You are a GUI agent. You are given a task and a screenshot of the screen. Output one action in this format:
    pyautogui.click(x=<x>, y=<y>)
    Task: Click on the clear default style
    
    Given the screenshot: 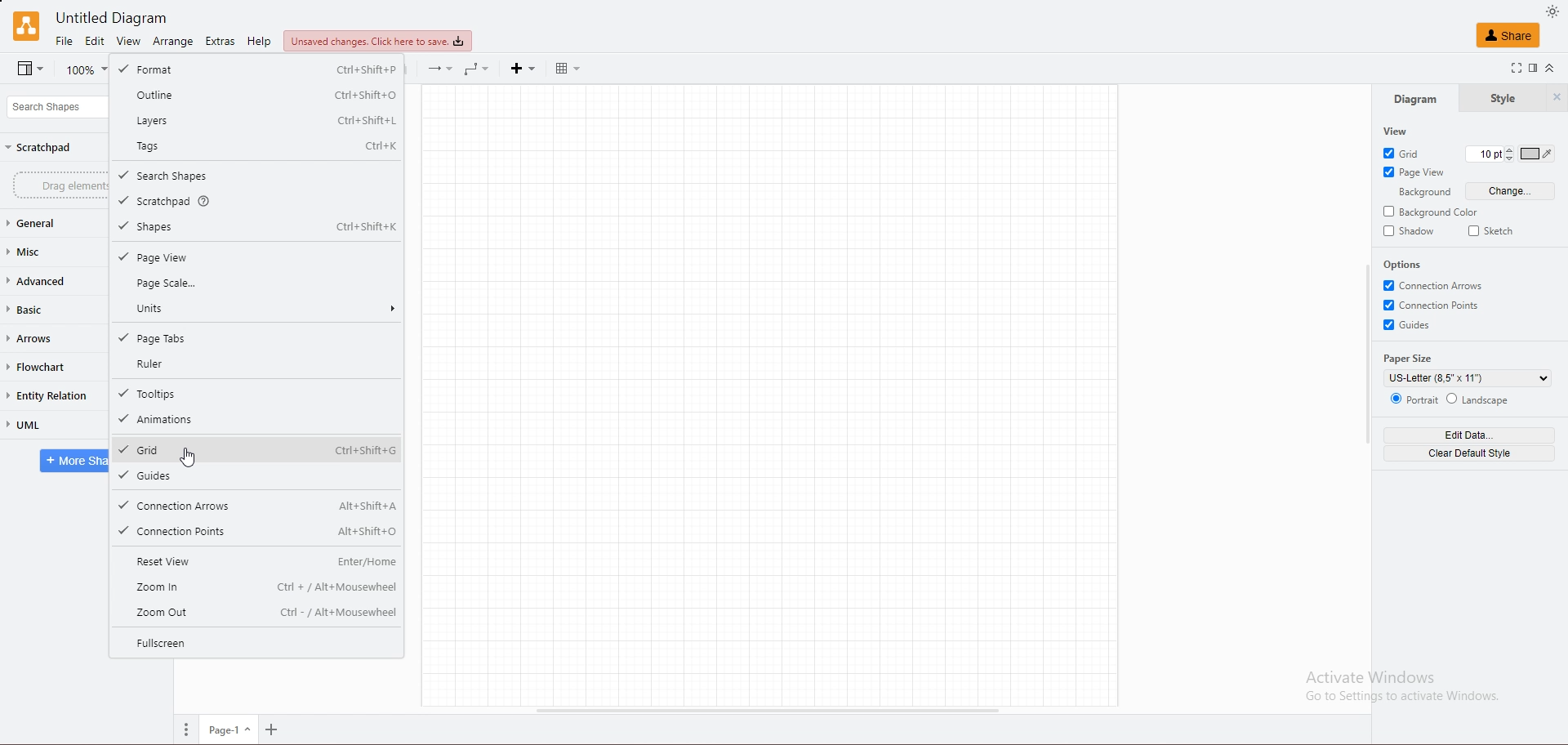 What is the action you would take?
    pyautogui.click(x=1469, y=454)
    